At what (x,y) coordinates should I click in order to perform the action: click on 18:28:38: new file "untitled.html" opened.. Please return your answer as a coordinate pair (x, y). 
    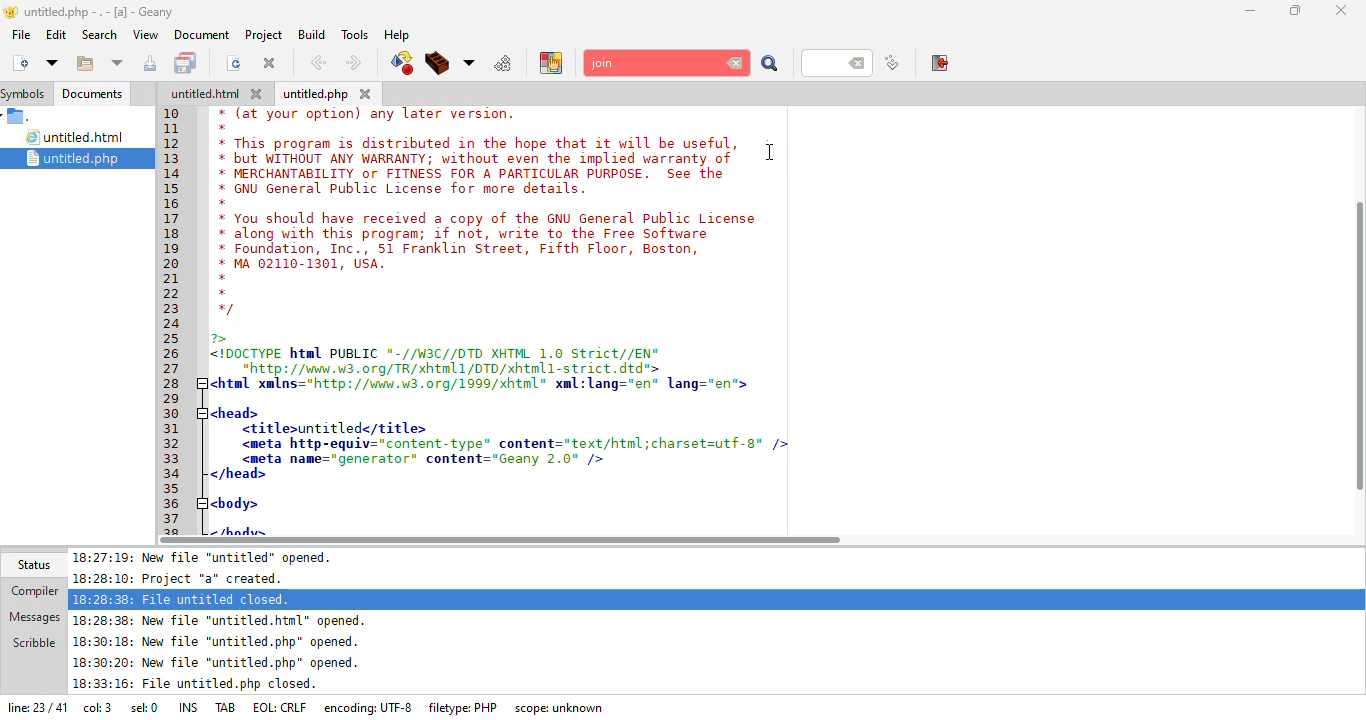
    Looking at the image, I should click on (225, 620).